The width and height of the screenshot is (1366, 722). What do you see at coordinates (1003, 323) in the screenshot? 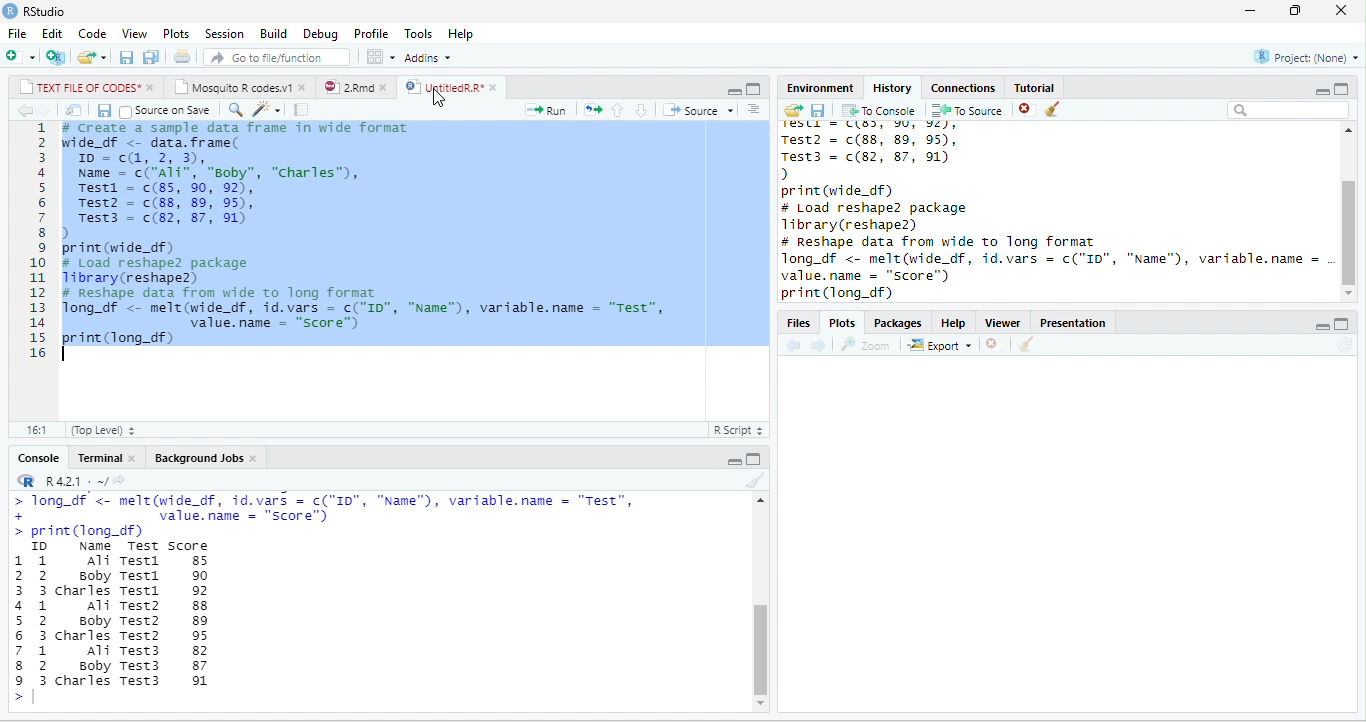
I see `Viewer` at bounding box center [1003, 323].